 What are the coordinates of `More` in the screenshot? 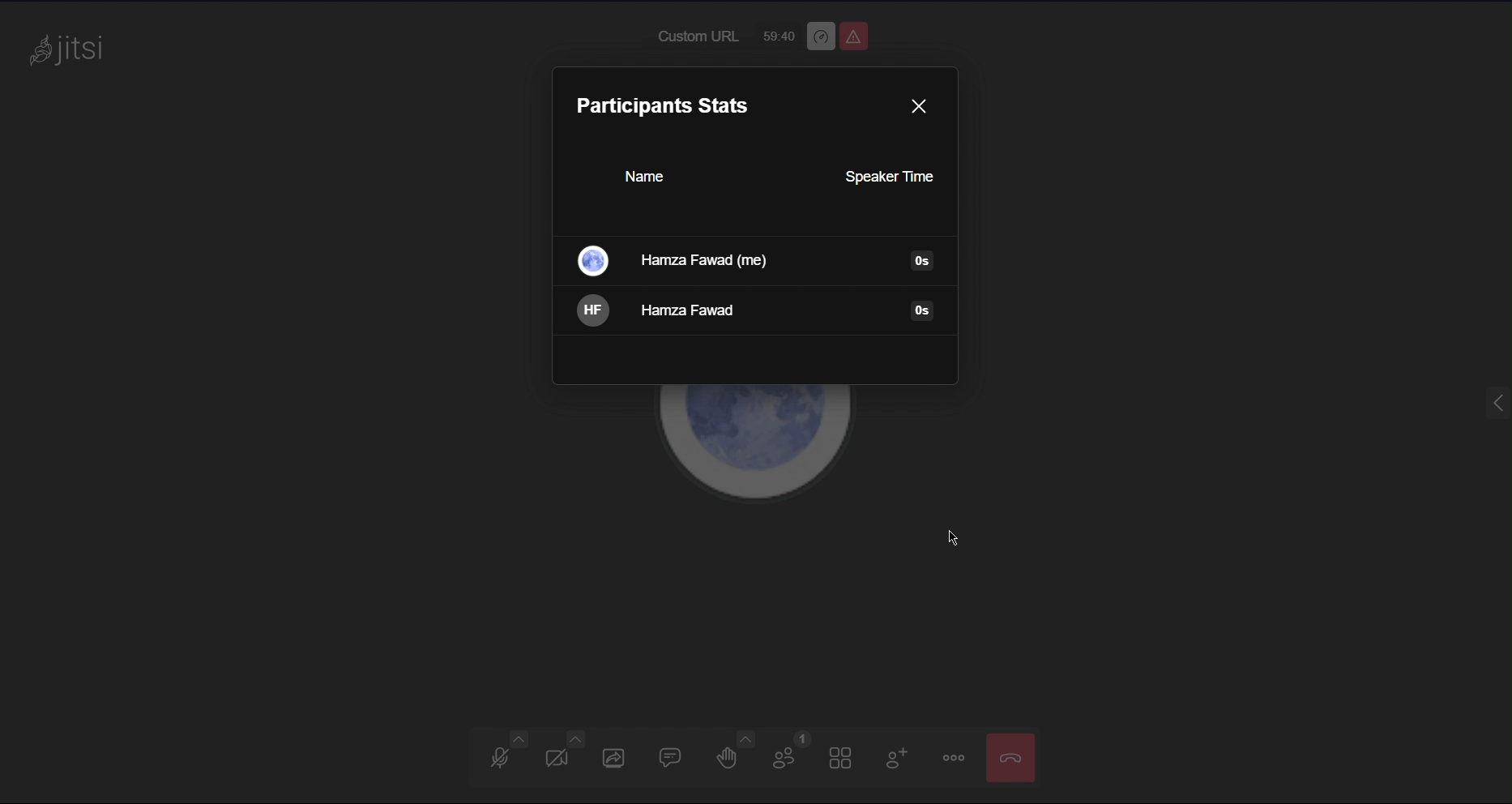 It's located at (950, 755).